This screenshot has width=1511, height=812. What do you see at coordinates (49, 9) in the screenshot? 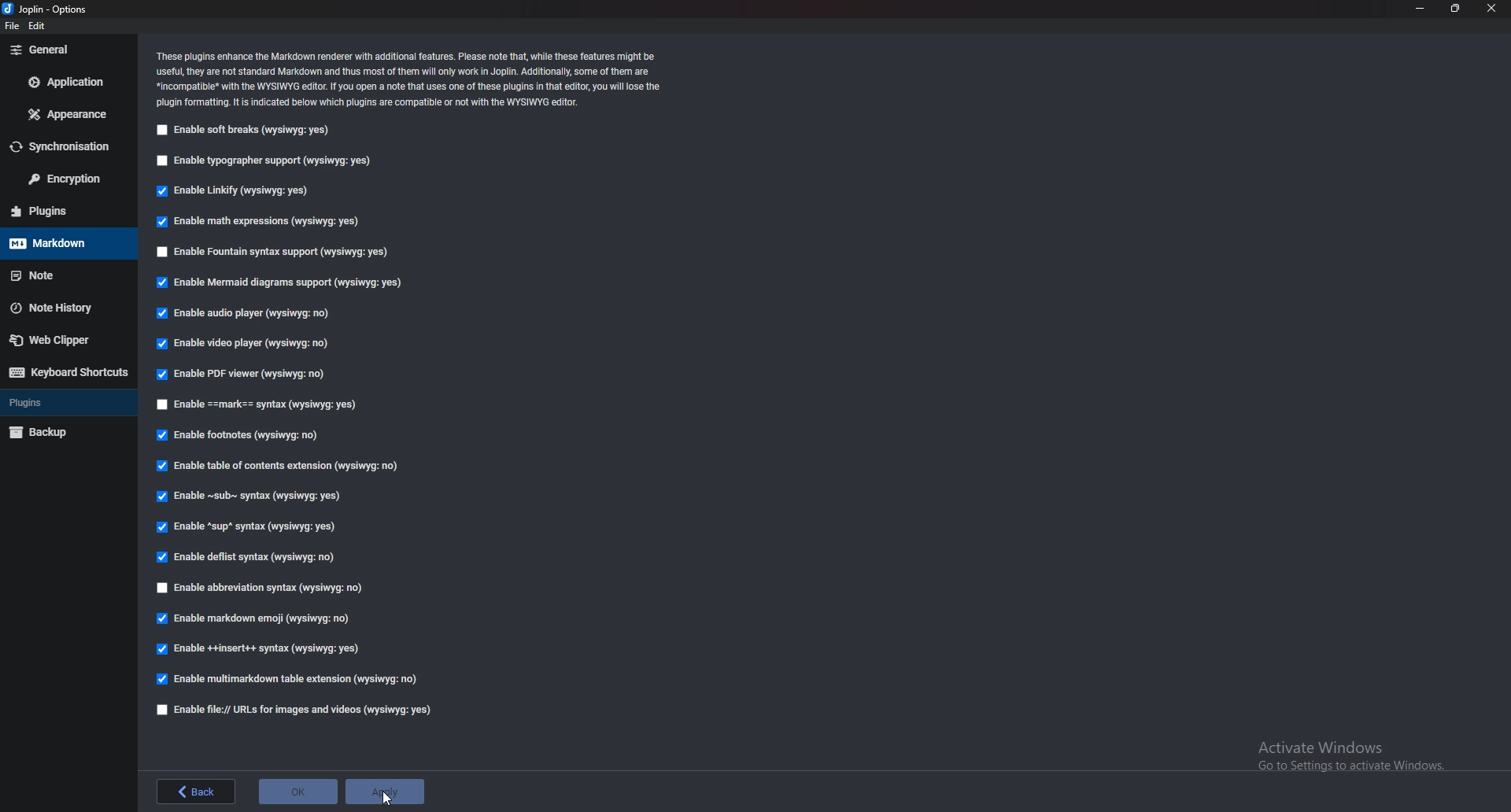
I see `joplin` at bounding box center [49, 9].